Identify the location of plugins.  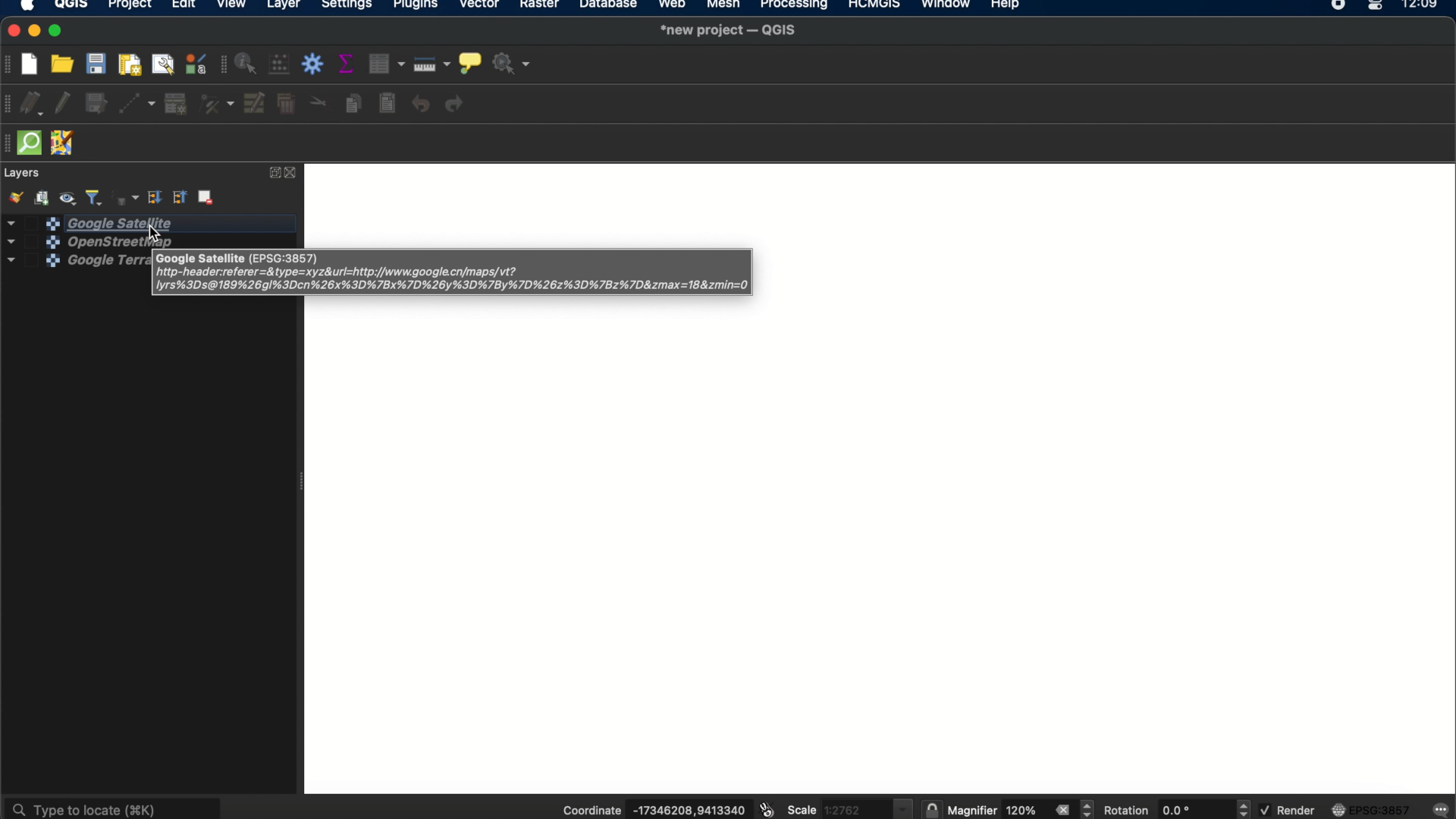
(416, 6).